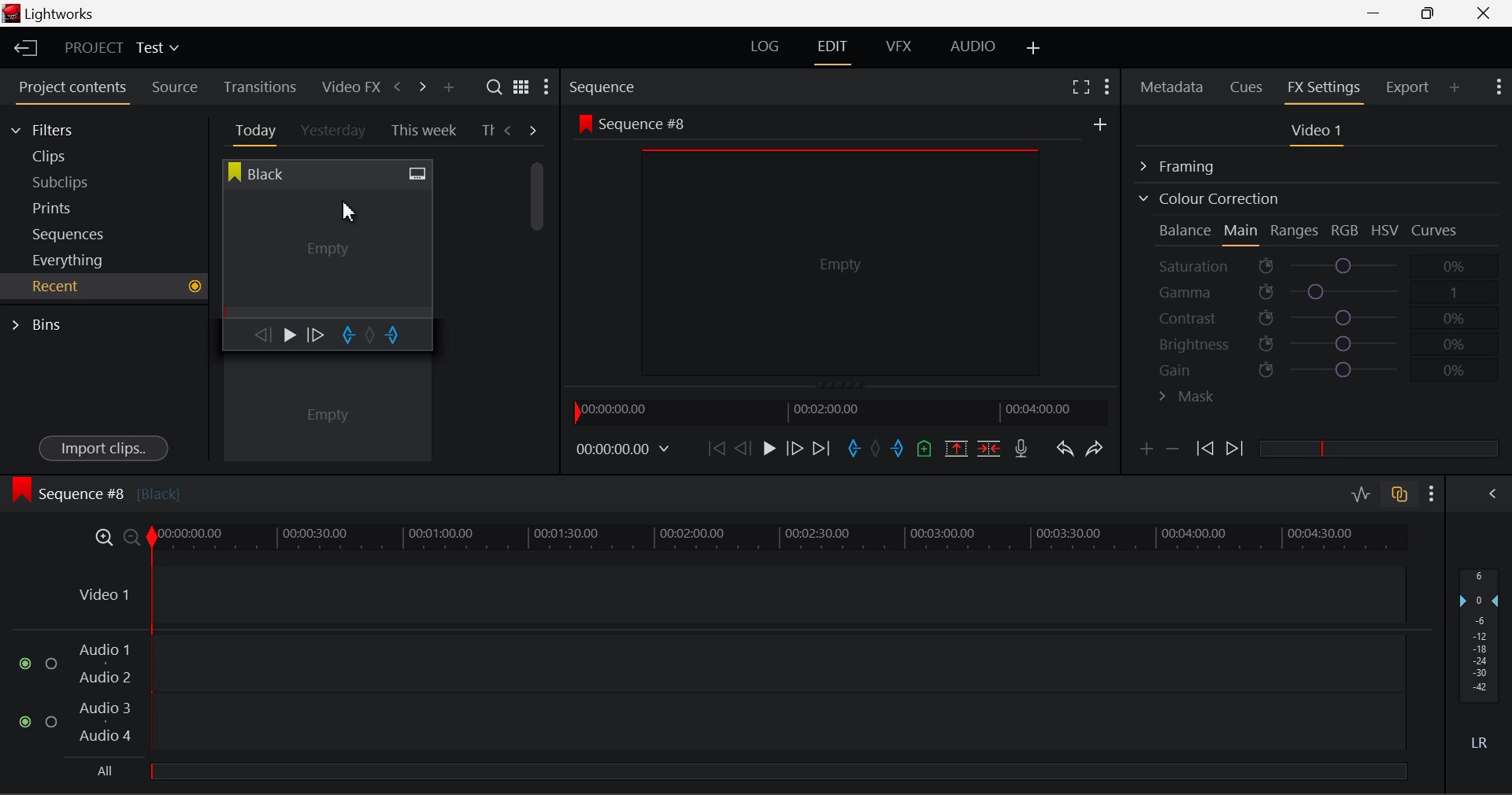 The width and height of the screenshot is (1512, 795). What do you see at coordinates (327, 412) in the screenshot?
I see `Recent Clip` at bounding box center [327, 412].